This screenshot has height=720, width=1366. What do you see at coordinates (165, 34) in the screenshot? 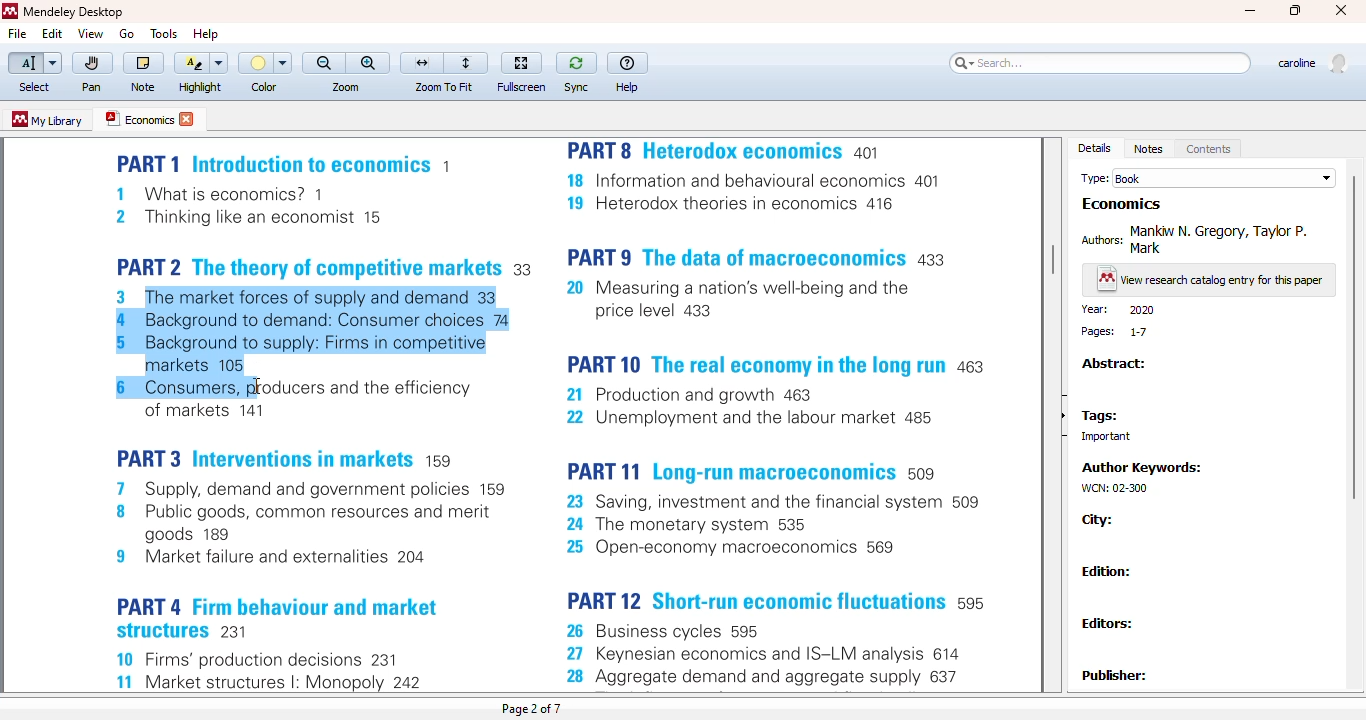
I see `tools` at bounding box center [165, 34].